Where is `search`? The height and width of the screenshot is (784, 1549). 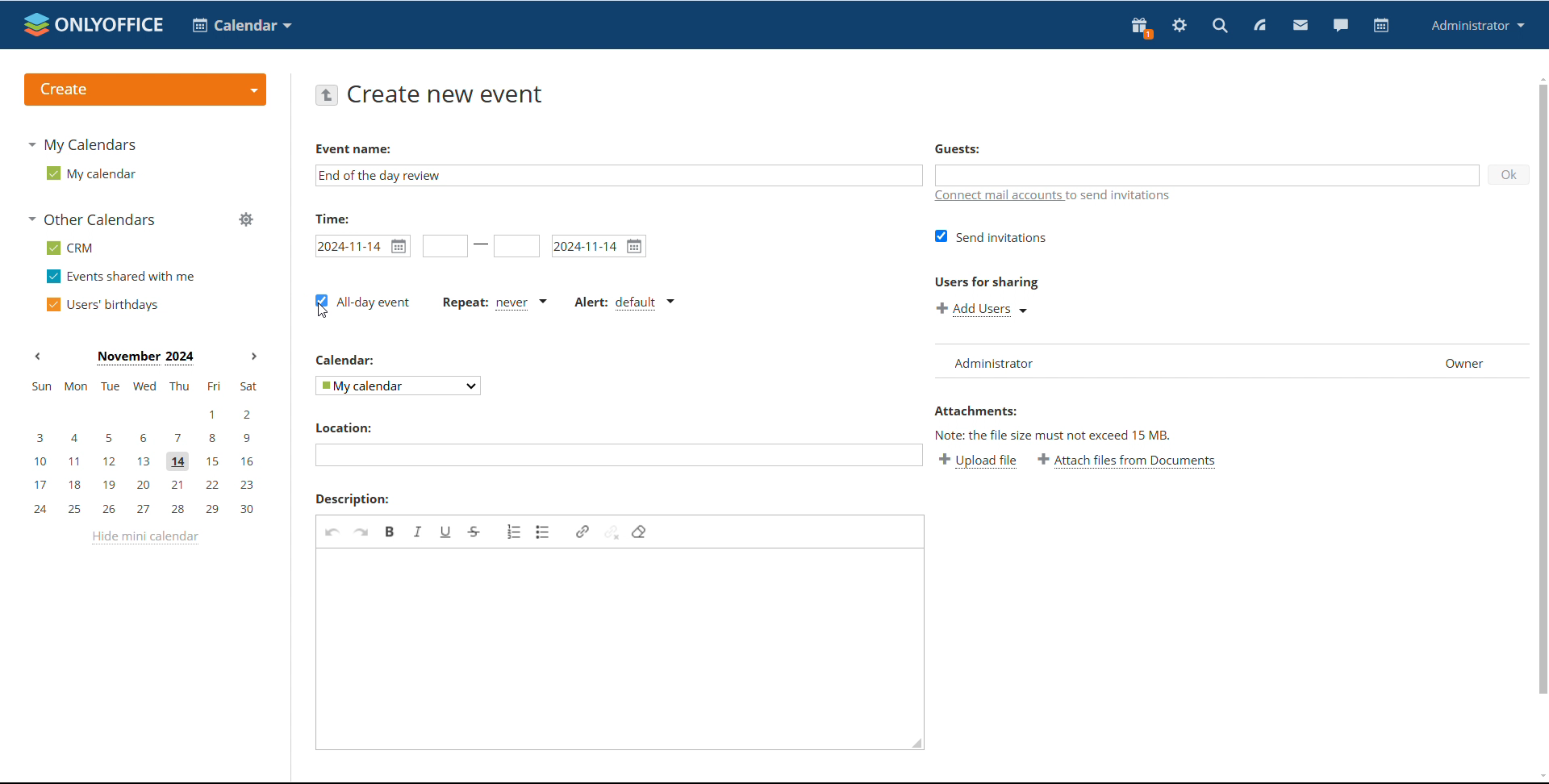
search is located at coordinates (1219, 27).